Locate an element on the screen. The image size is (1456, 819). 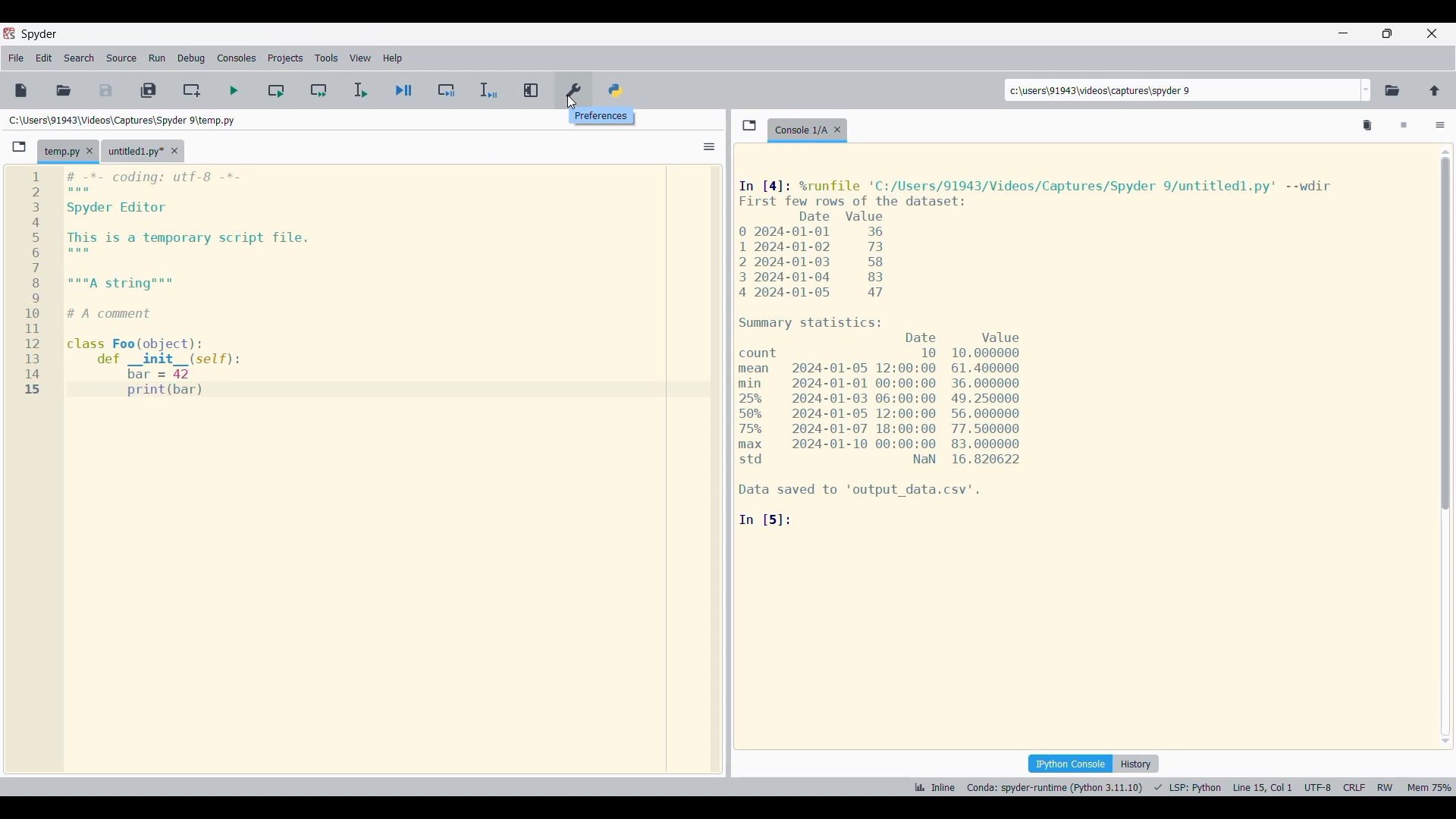
Software logo is located at coordinates (10, 33).